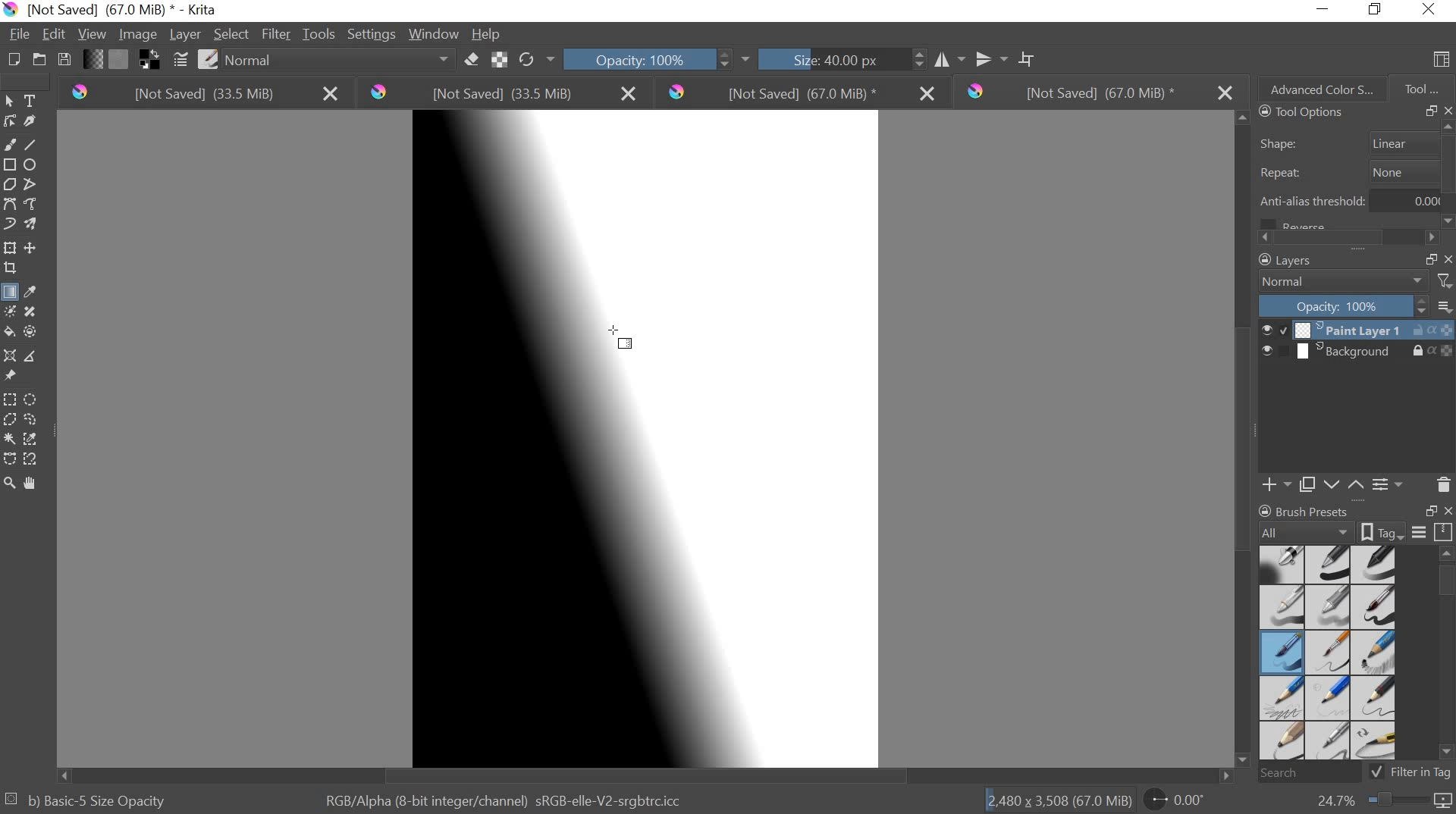 This screenshot has width=1456, height=814. I want to click on edit shapes, so click(12, 121).